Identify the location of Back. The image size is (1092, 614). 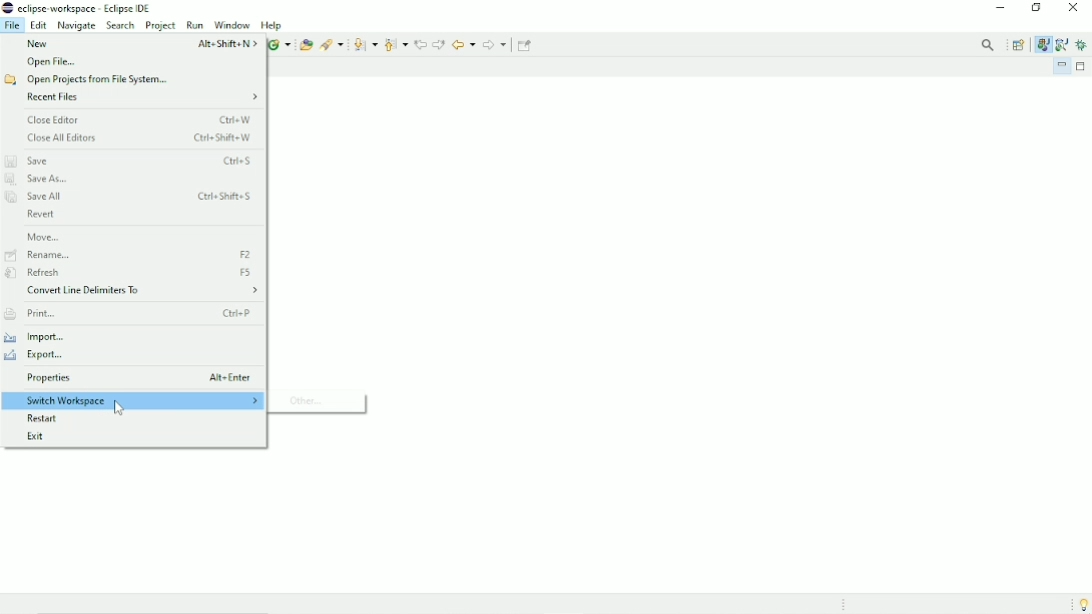
(463, 43).